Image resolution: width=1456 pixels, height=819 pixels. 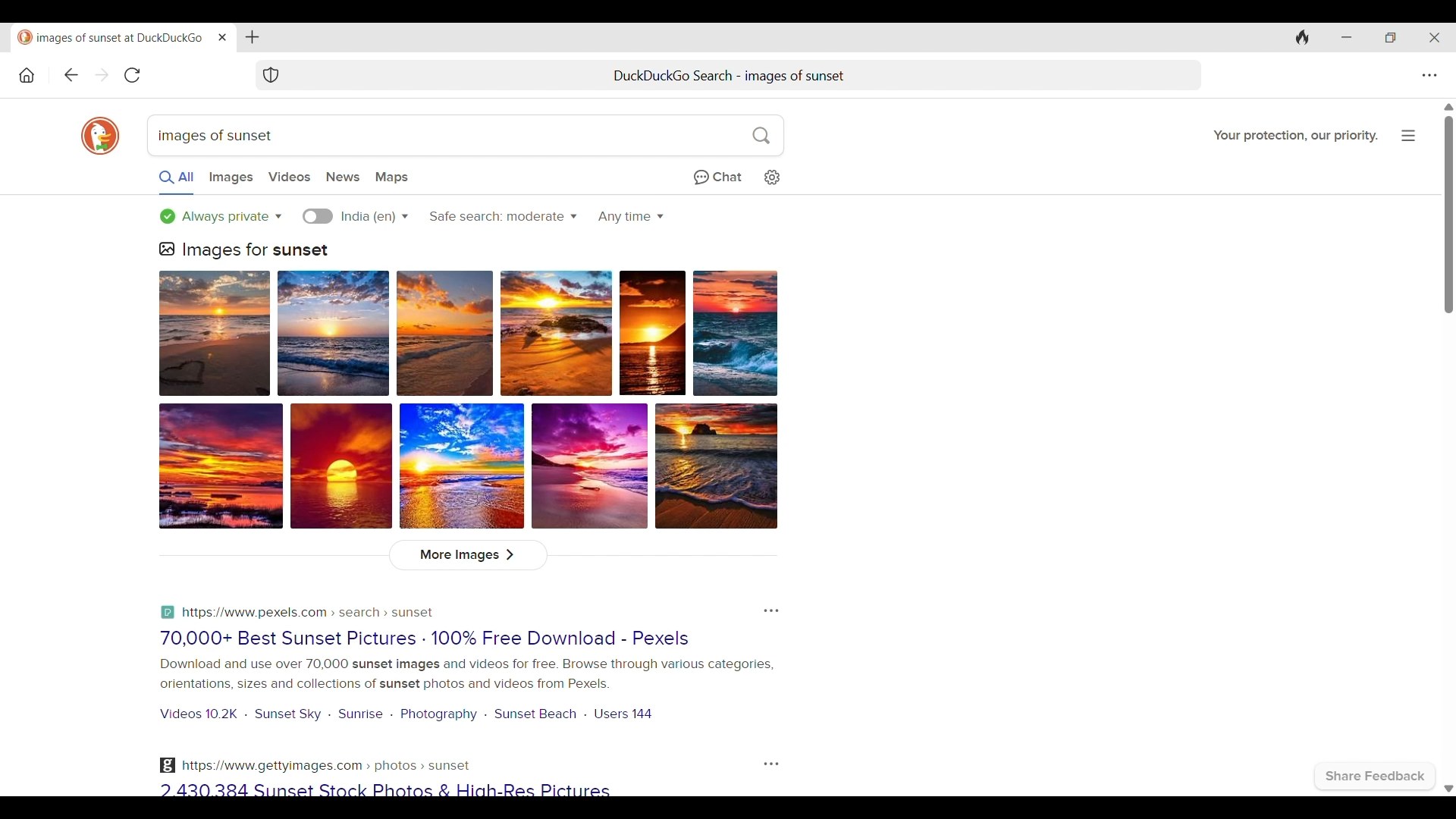 What do you see at coordinates (771, 611) in the screenshot?
I see `Options` at bounding box center [771, 611].